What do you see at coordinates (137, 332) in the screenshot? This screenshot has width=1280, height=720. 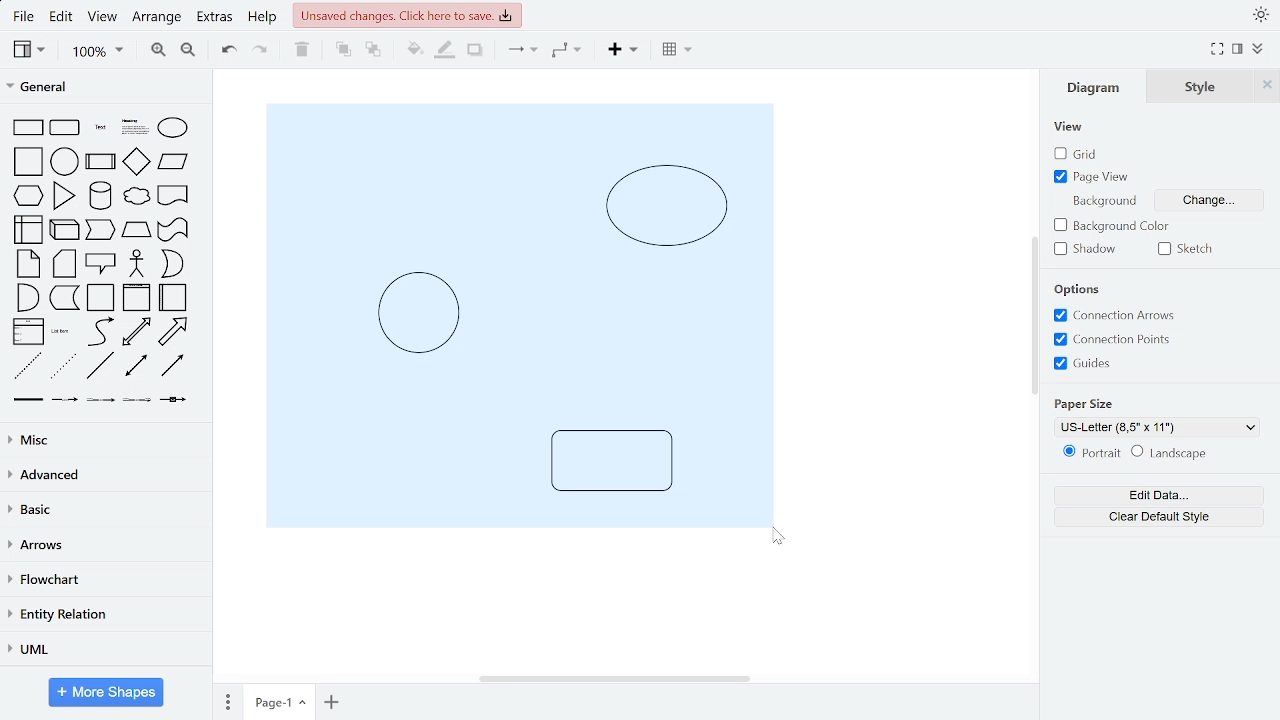 I see `bidirectional arrow` at bounding box center [137, 332].